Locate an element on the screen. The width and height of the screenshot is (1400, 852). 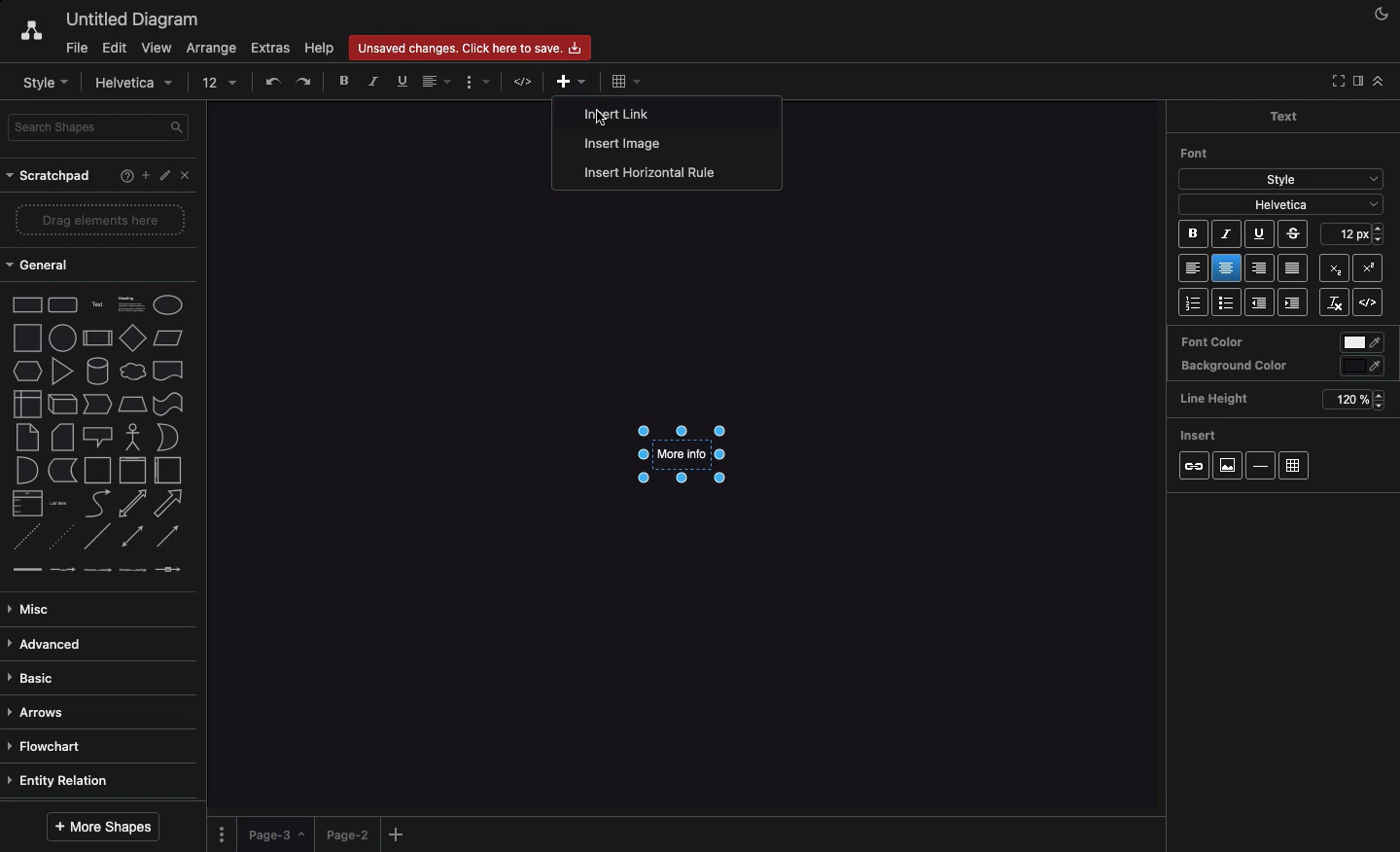
directional connector is located at coordinates (168, 537).